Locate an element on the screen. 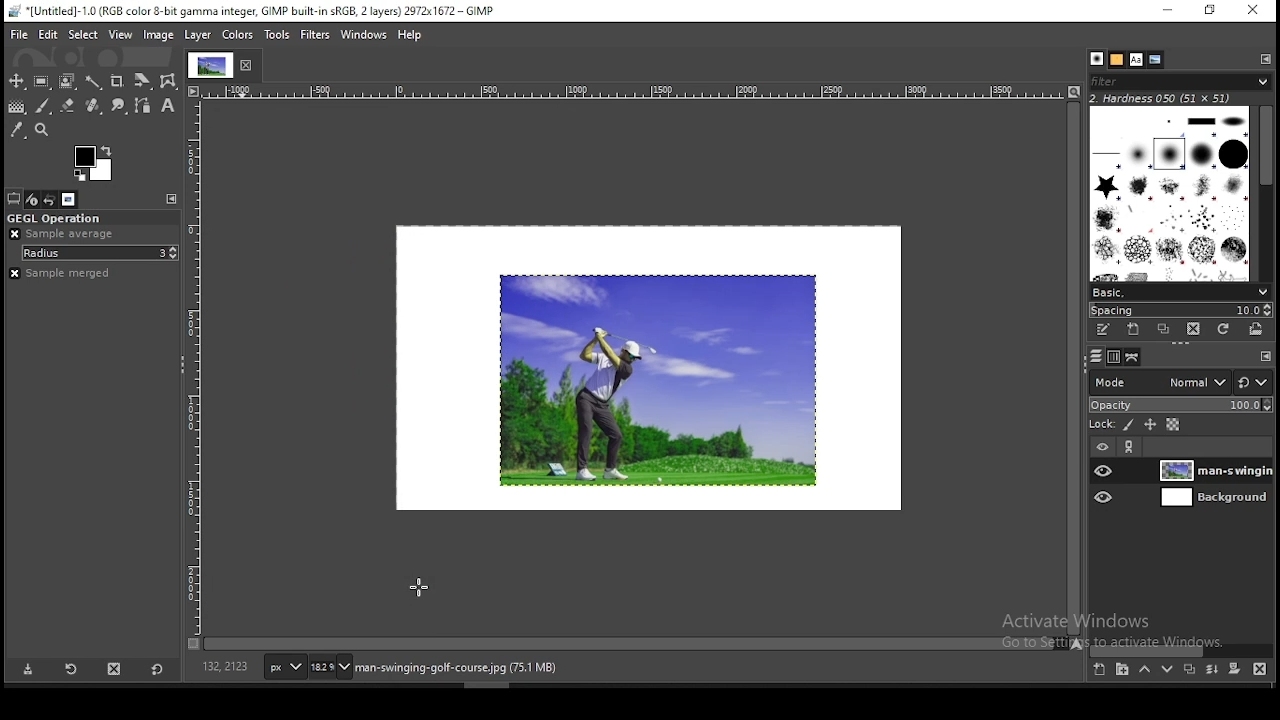  move layer on step down is located at coordinates (1167, 669).